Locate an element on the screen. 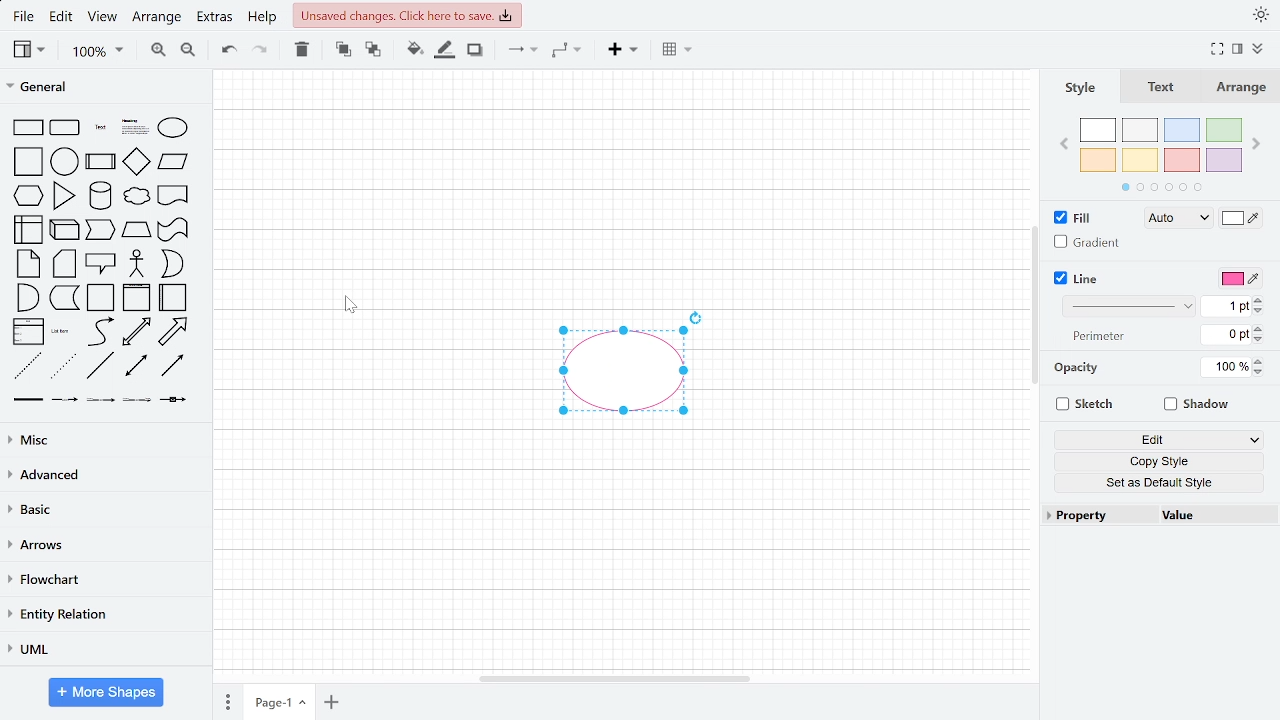 The image size is (1280, 720). vertical container is located at coordinates (136, 298).